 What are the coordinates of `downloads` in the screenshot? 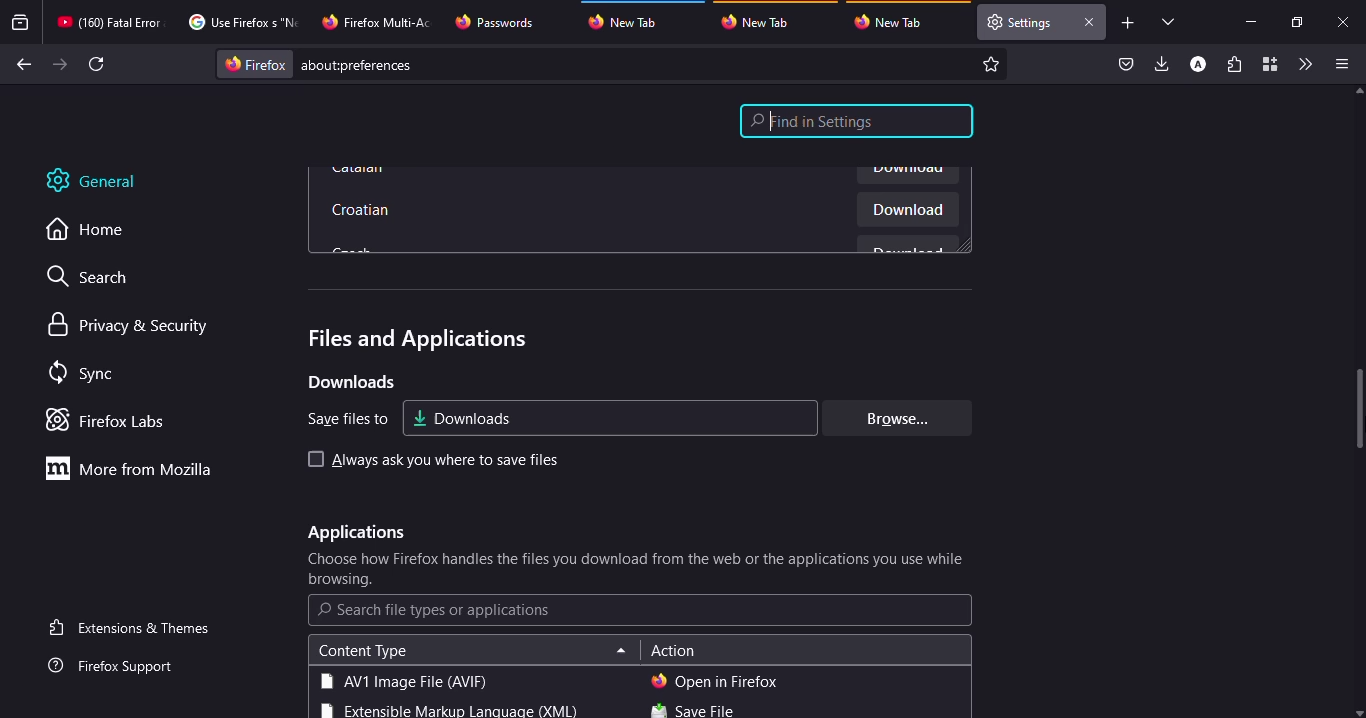 It's located at (1163, 63).